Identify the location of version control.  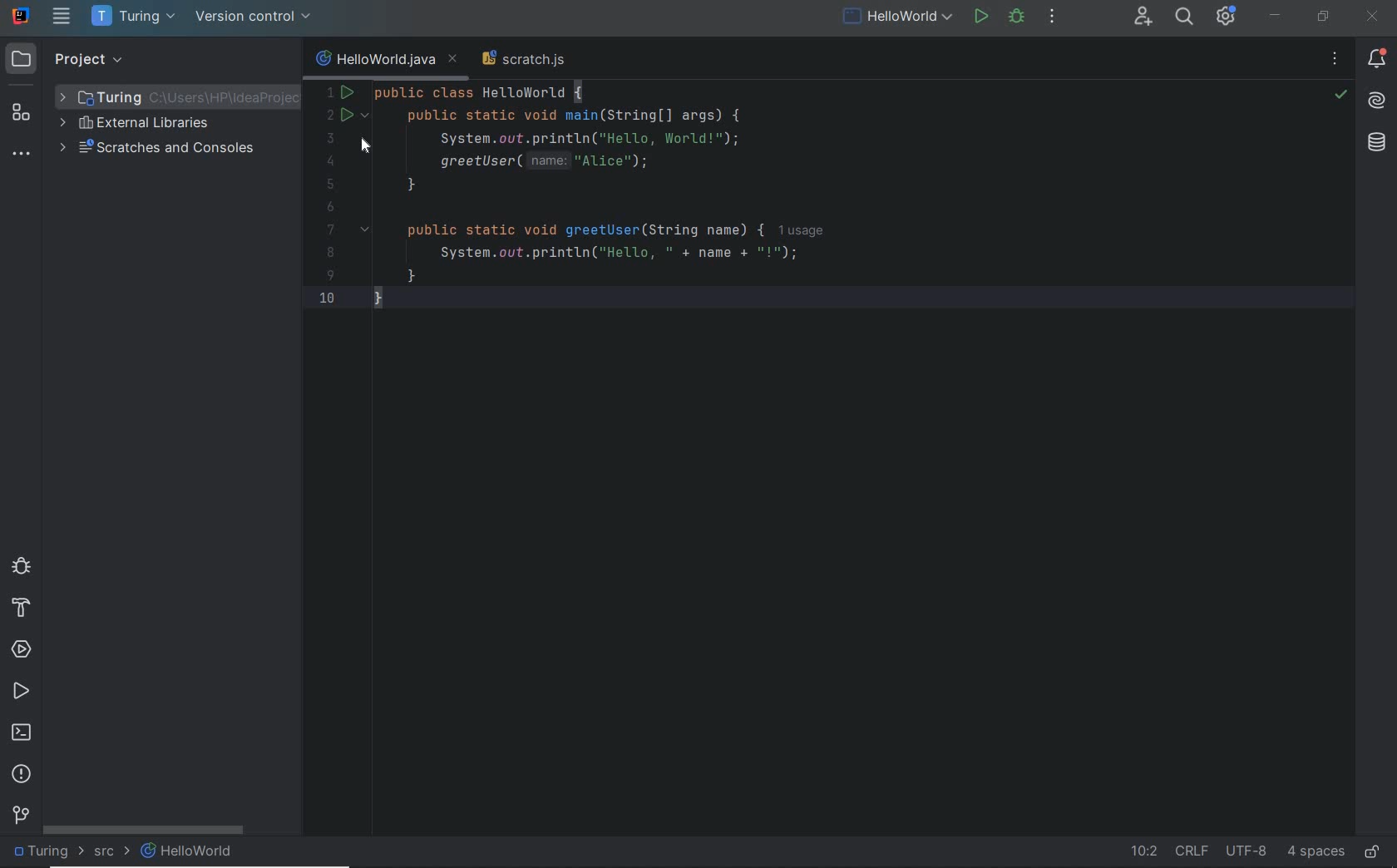
(255, 18).